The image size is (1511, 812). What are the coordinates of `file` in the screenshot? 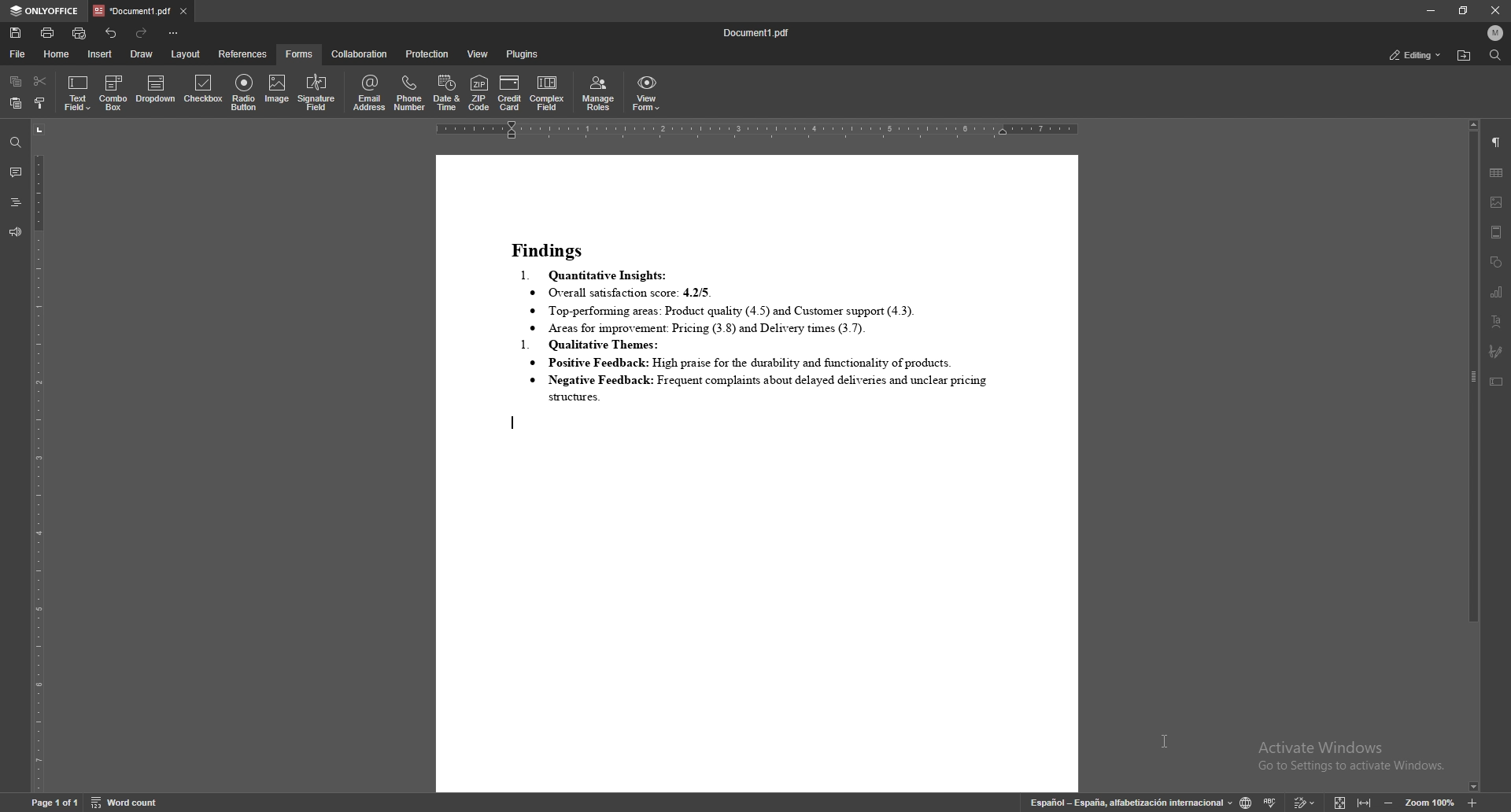 It's located at (18, 54).